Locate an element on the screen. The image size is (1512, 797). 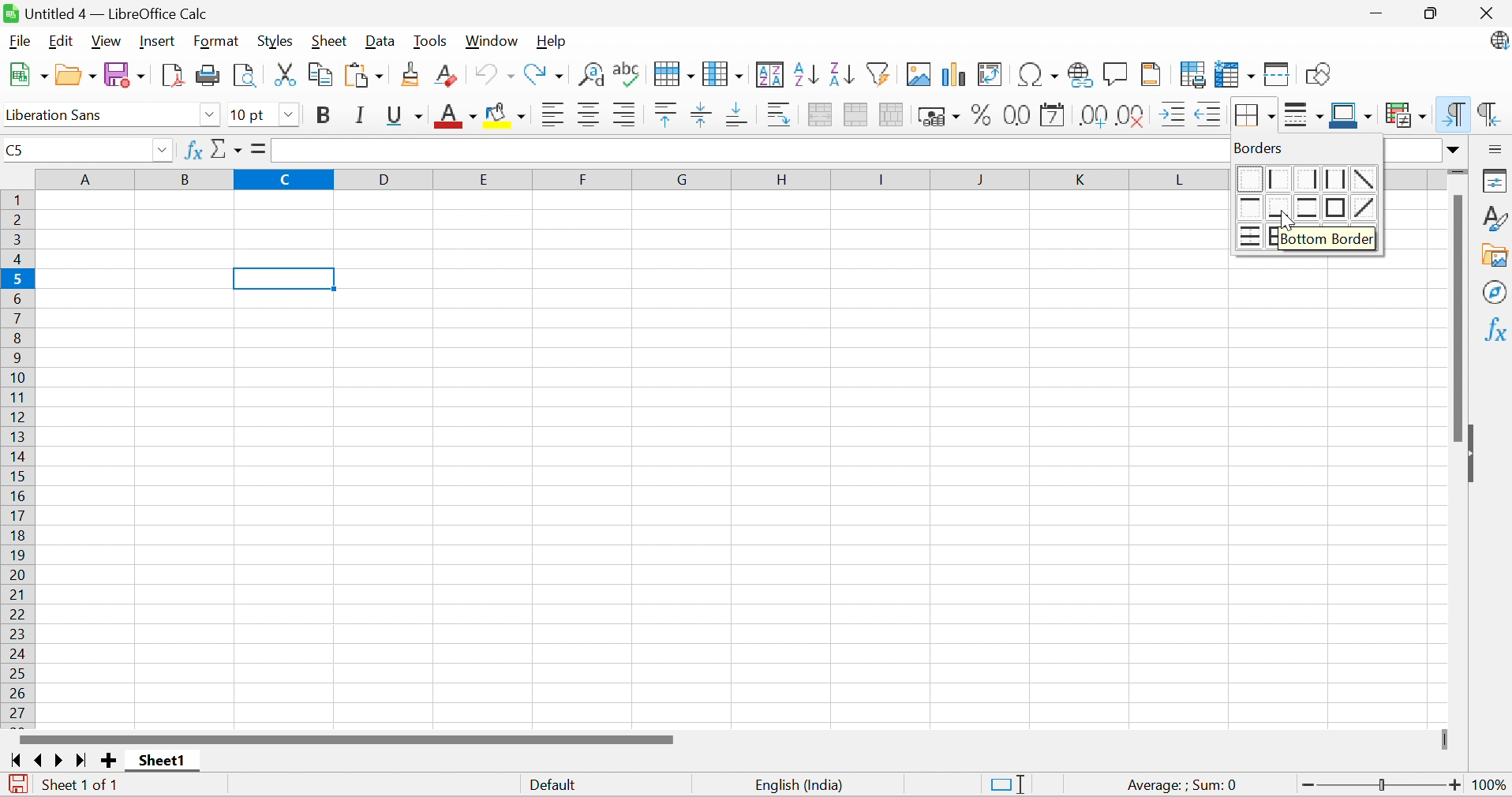
Save is located at coordinates (128, 76).